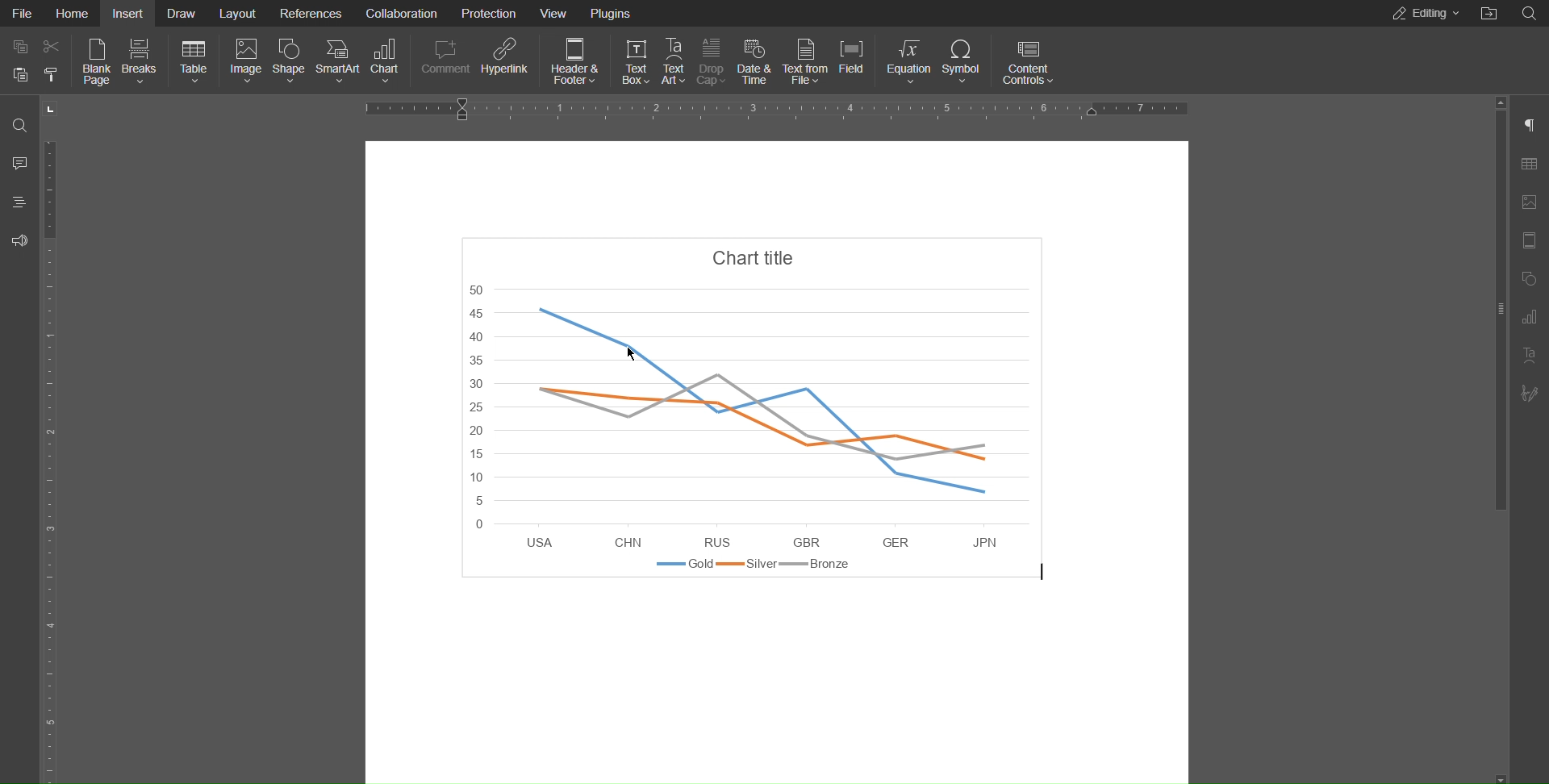  What do you see at coordinates (1530, 241) in the screenshot?
I see `Header and Setter` at bounding box center [1530, 241].